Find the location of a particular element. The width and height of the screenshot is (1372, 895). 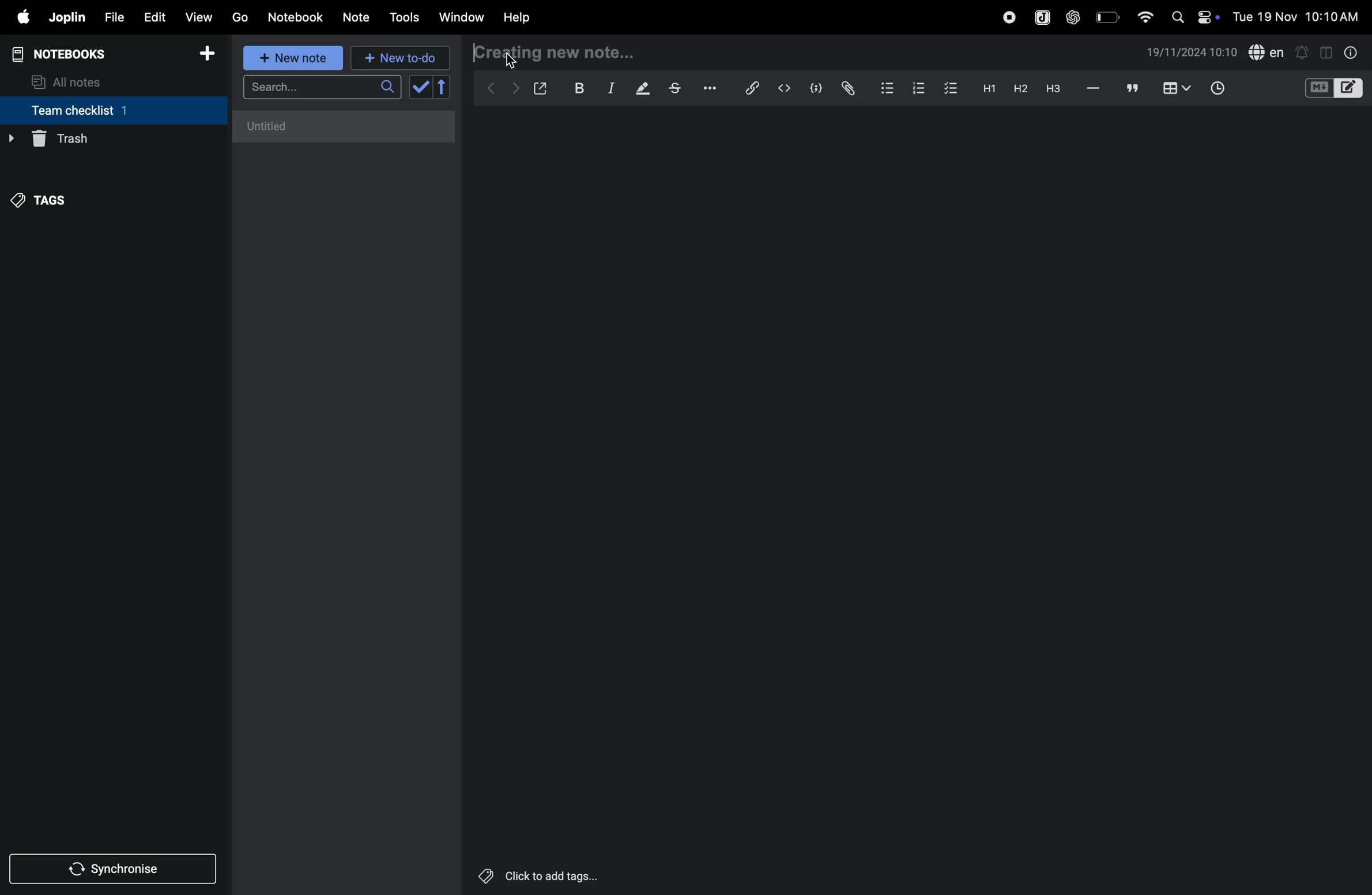

add is located at coordinates (212, 54).